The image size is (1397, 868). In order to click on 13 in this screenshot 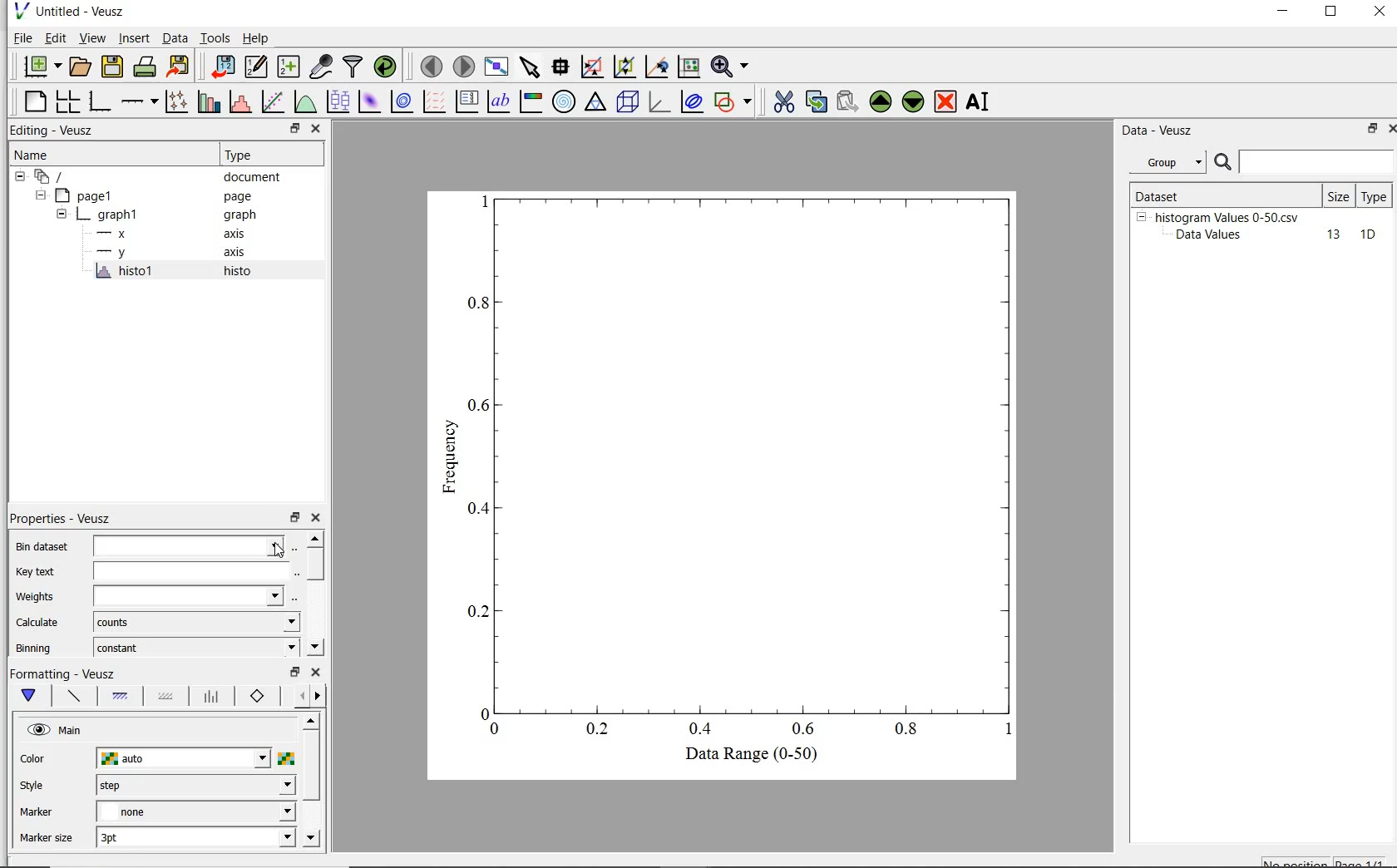, I will do `click(1326, 235)`.